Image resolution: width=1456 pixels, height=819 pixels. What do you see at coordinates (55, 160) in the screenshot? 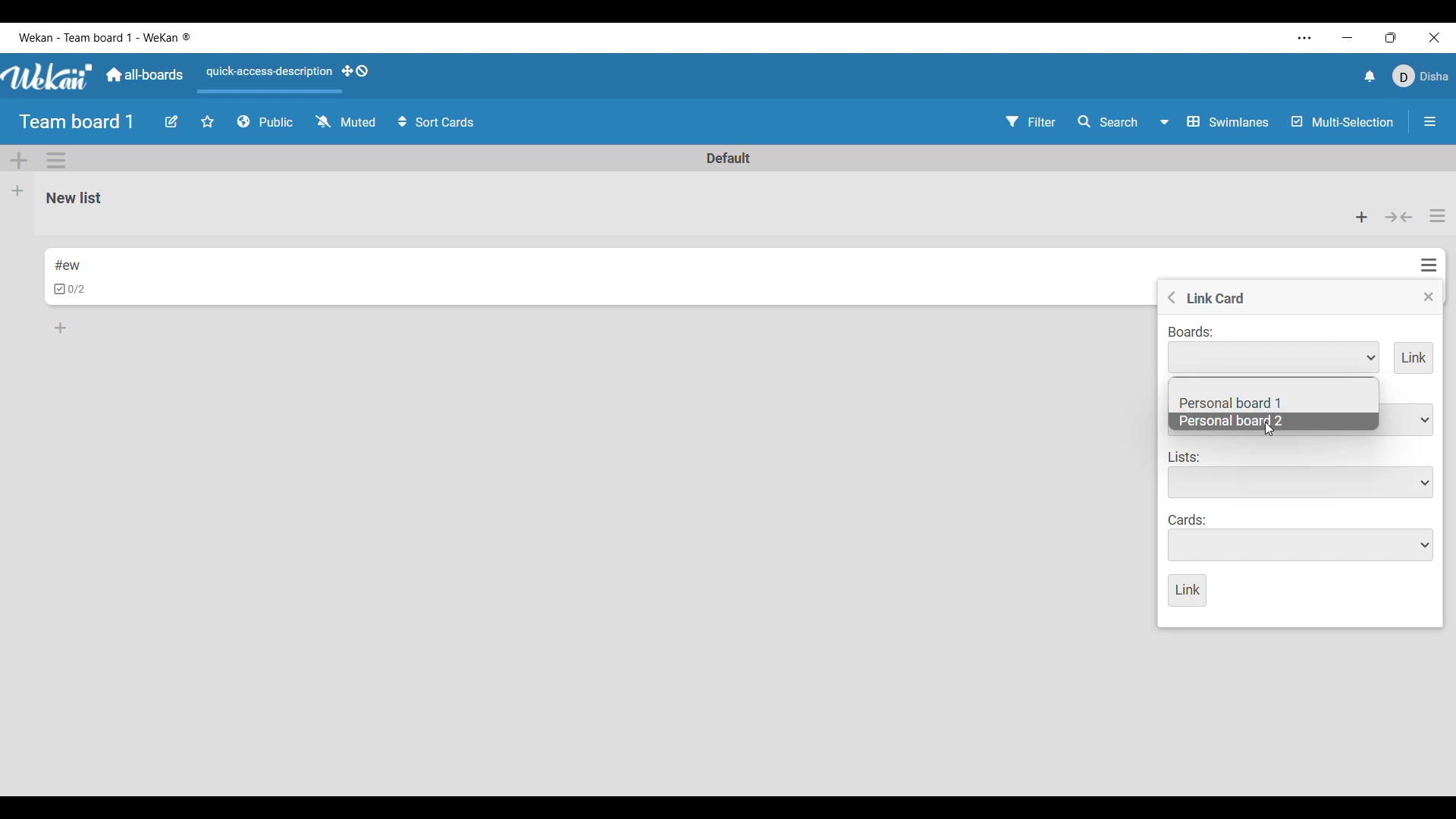
I see `Swimlane action` at bounding box center [55, 160].